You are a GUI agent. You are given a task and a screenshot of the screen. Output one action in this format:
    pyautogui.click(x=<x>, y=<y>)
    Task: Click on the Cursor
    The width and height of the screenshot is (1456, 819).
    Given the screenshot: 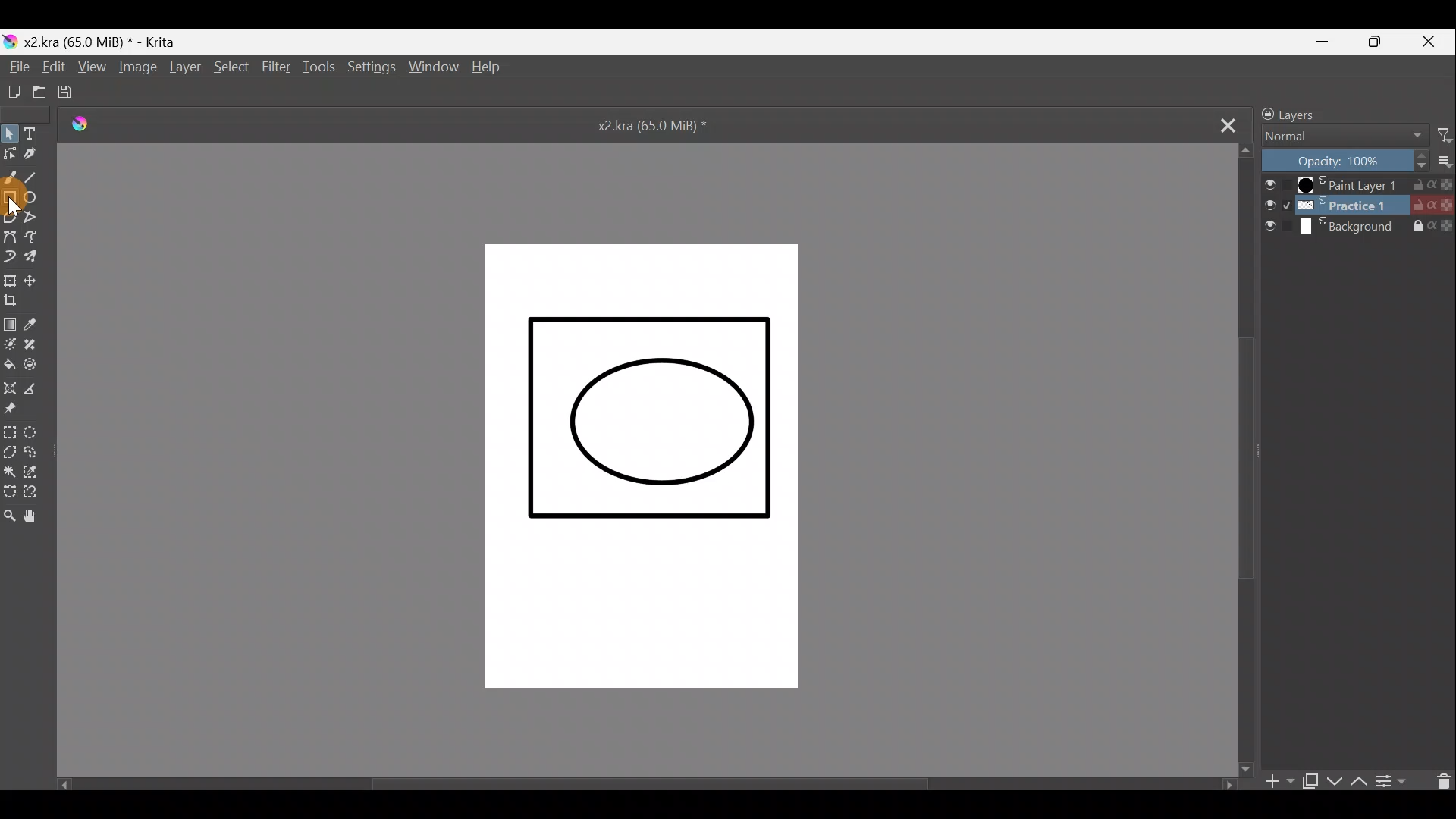 What is the action you would take?
    pyautogui.click(x=13, y=201)
    